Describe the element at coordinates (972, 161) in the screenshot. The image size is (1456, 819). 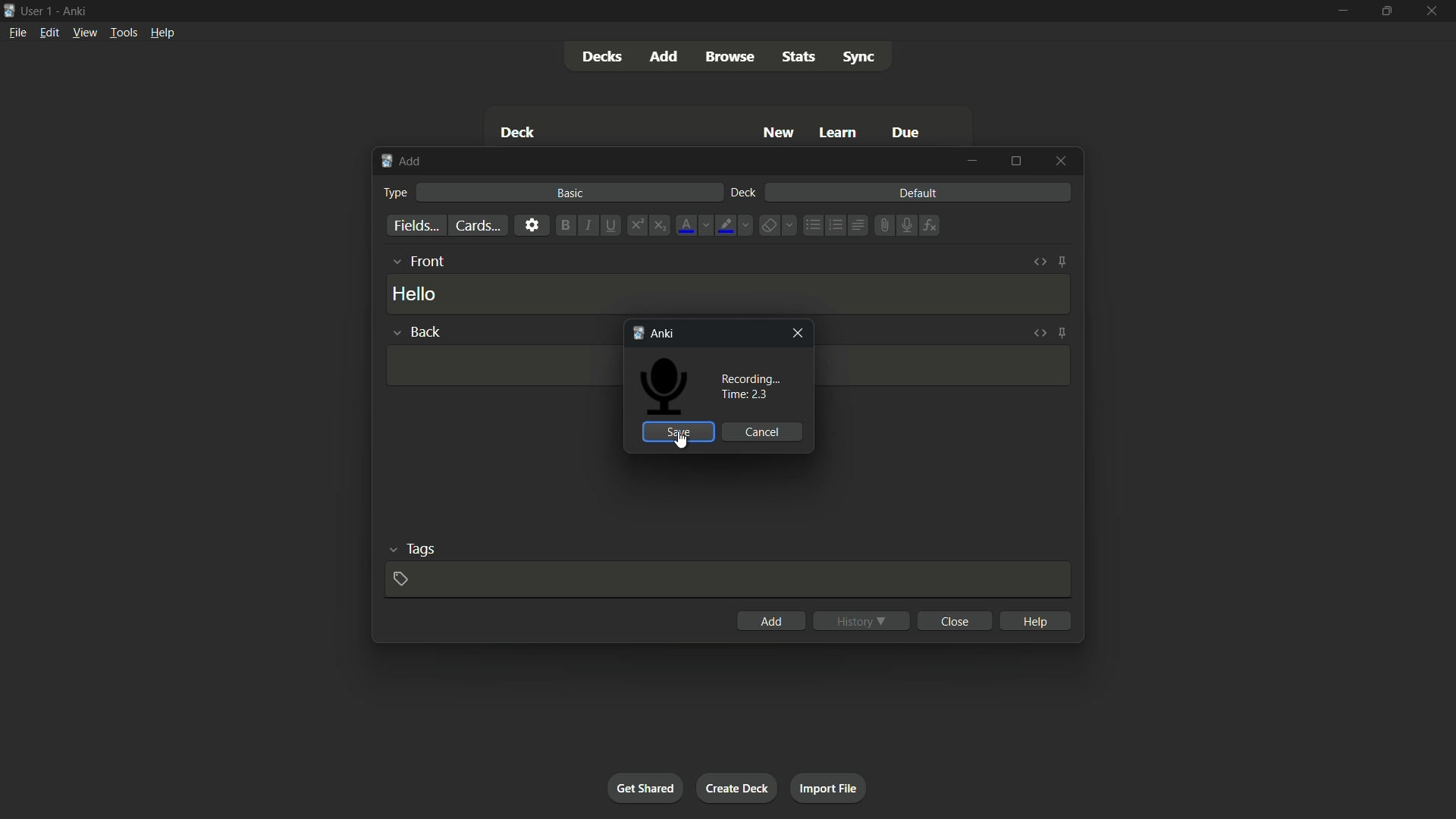
I see `minimize` at that location.